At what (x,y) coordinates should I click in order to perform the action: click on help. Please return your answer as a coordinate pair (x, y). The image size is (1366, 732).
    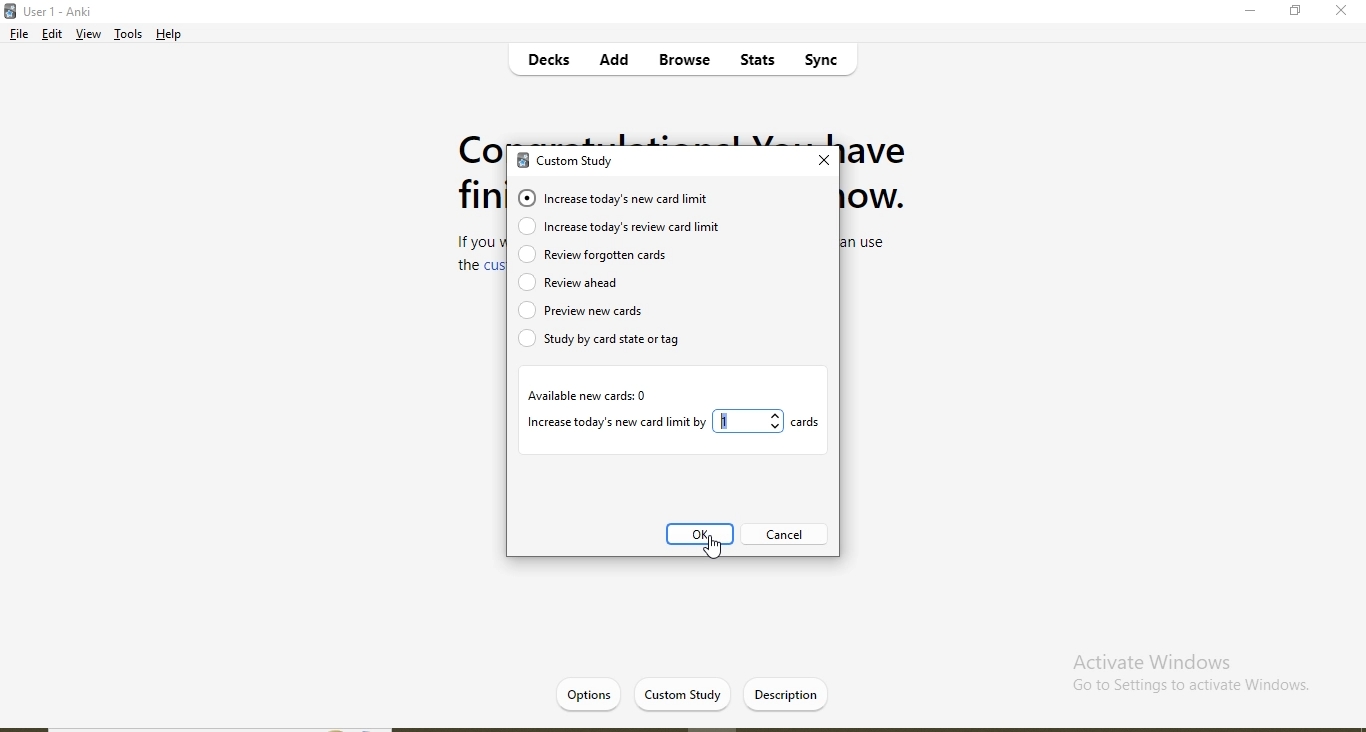
    Looking at the image, I should click on (171, 34).